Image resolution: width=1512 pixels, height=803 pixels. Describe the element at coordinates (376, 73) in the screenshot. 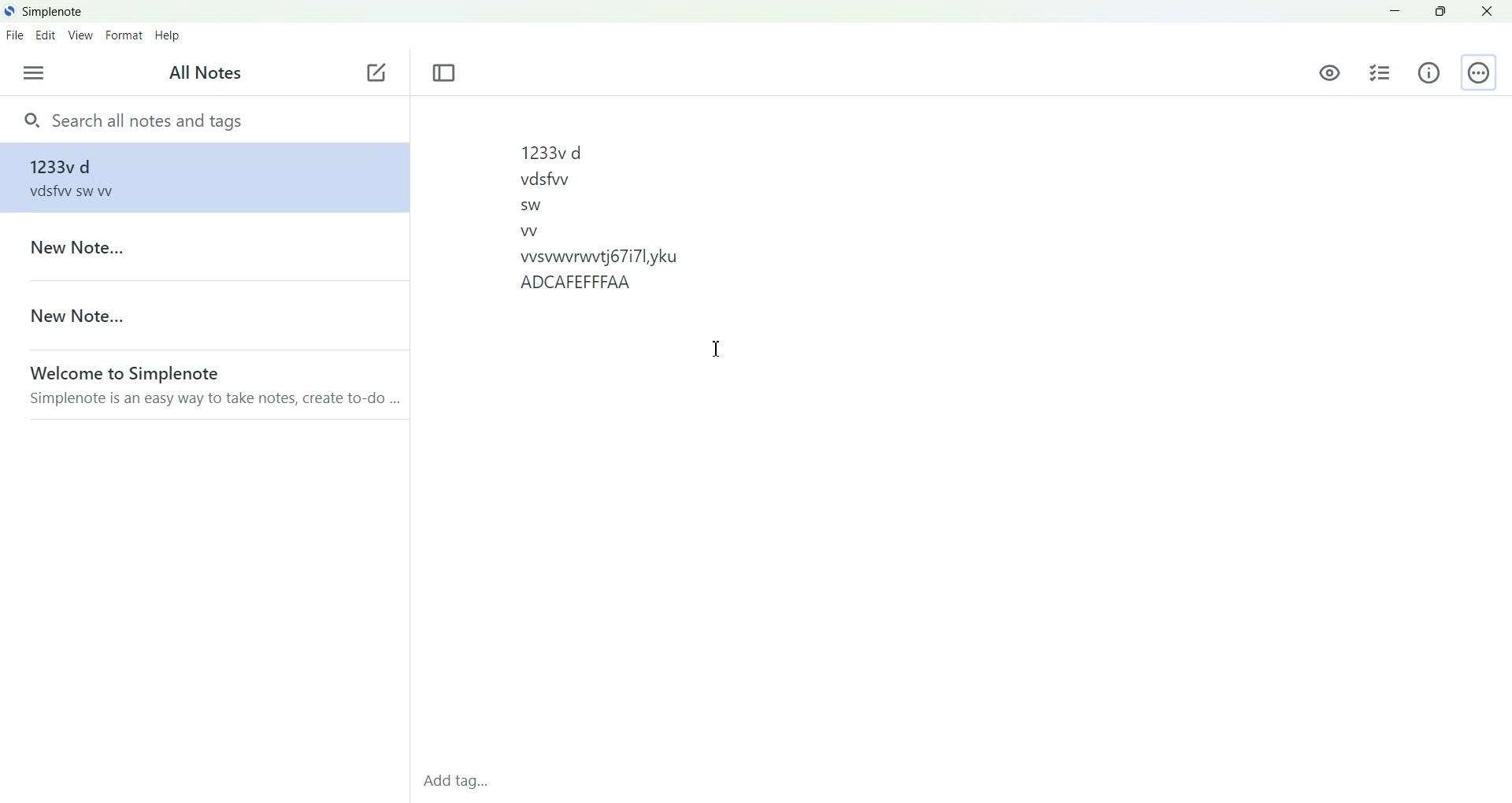

I see `Add Note` at that location.